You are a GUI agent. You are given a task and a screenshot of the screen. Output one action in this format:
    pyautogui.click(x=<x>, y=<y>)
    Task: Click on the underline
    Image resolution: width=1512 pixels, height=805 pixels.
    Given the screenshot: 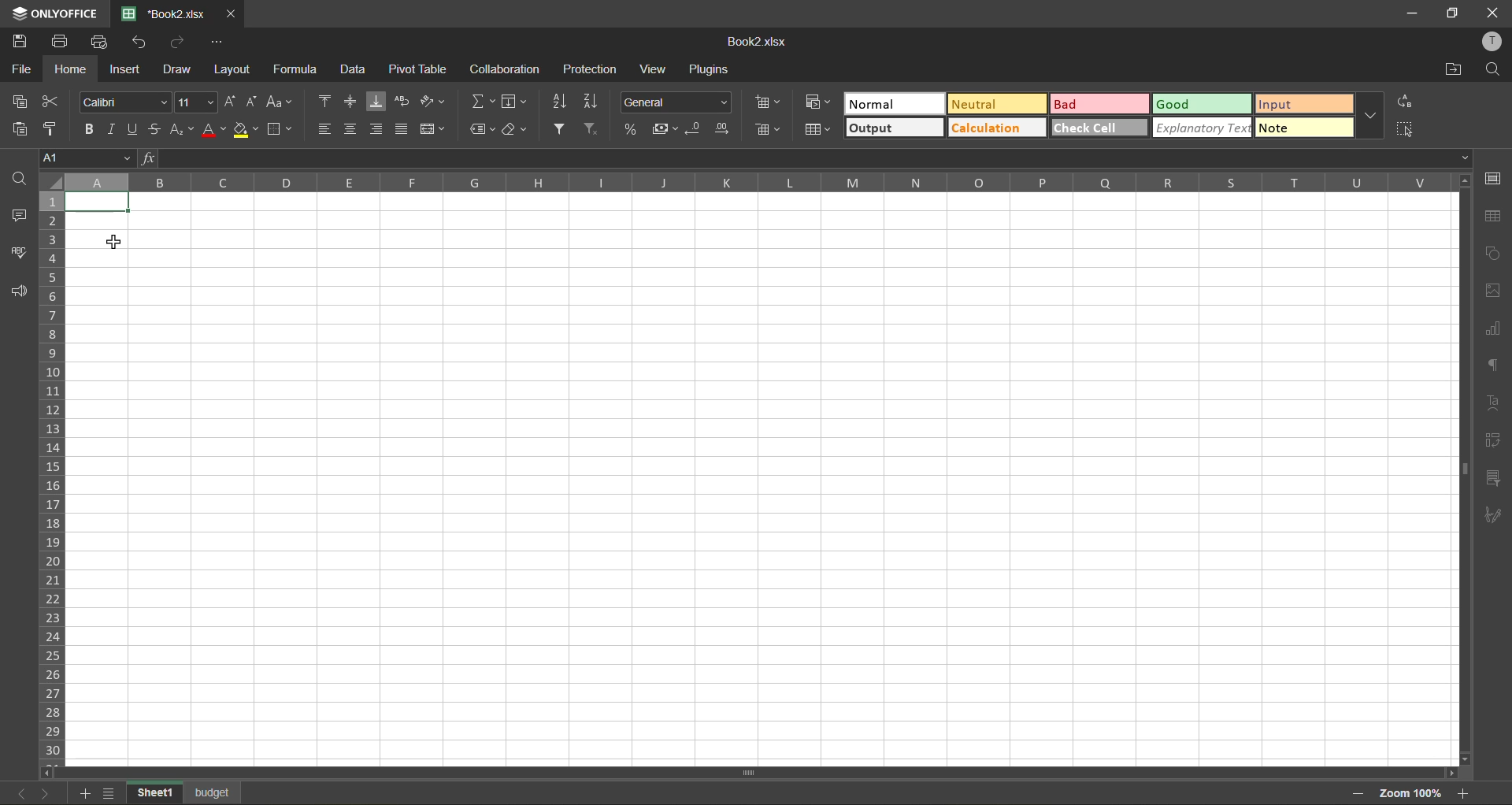 What is the action you would take?
    pyautogui.click(x=135, y=131)
    